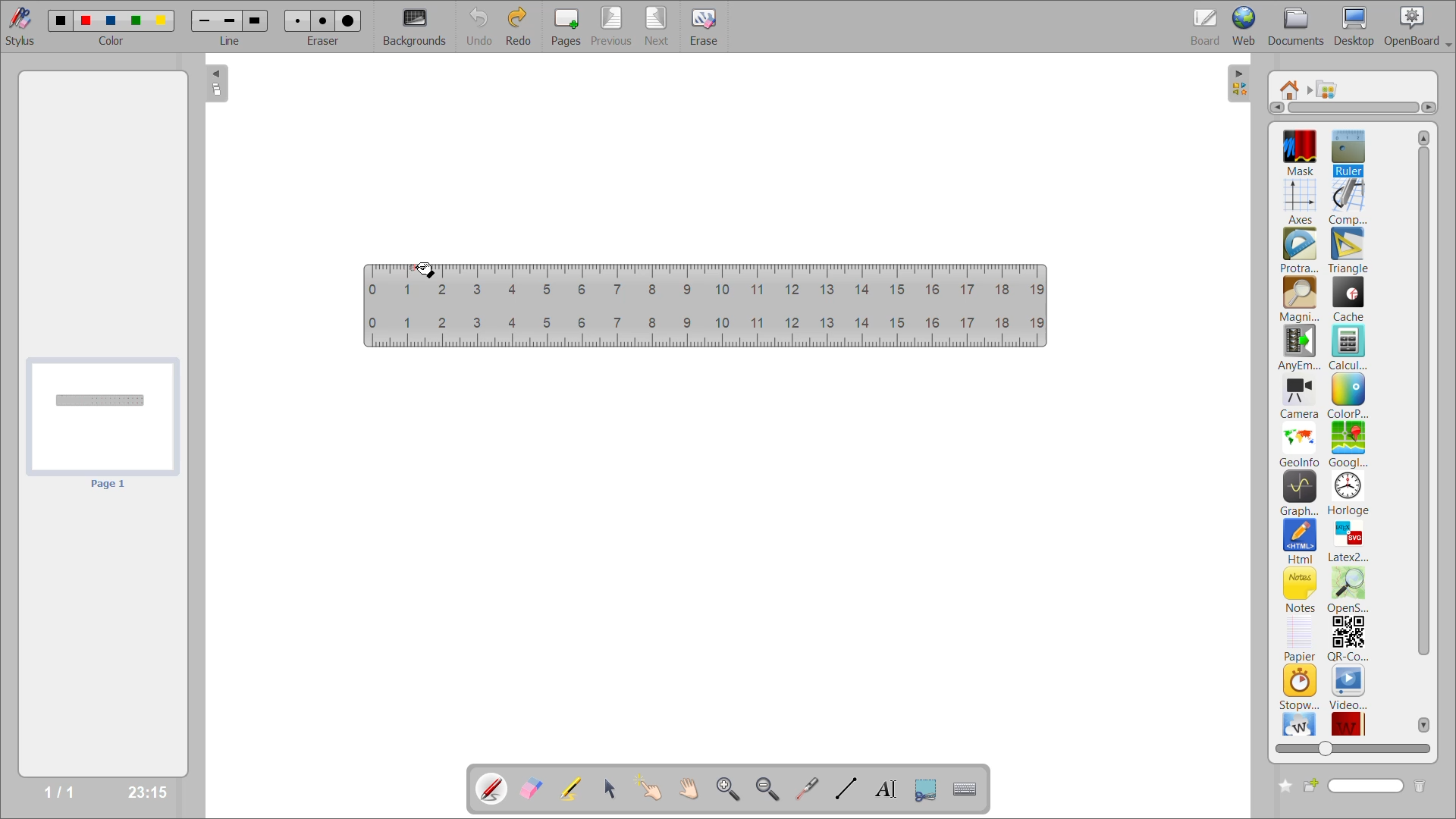  I want to click on draw lines, so click(844, 788).